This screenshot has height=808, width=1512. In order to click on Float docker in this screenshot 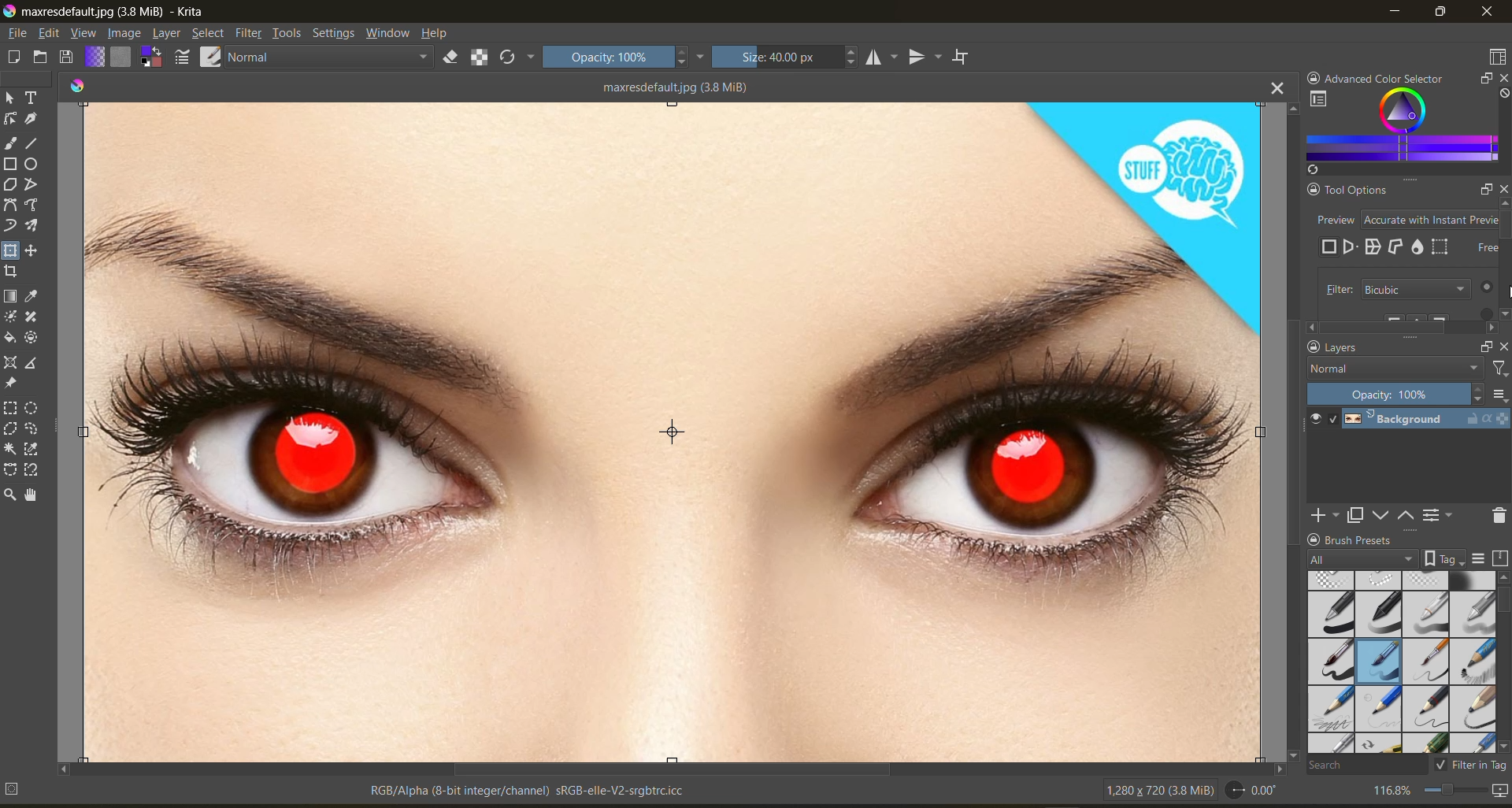, I will do `click(1477, 189)`.